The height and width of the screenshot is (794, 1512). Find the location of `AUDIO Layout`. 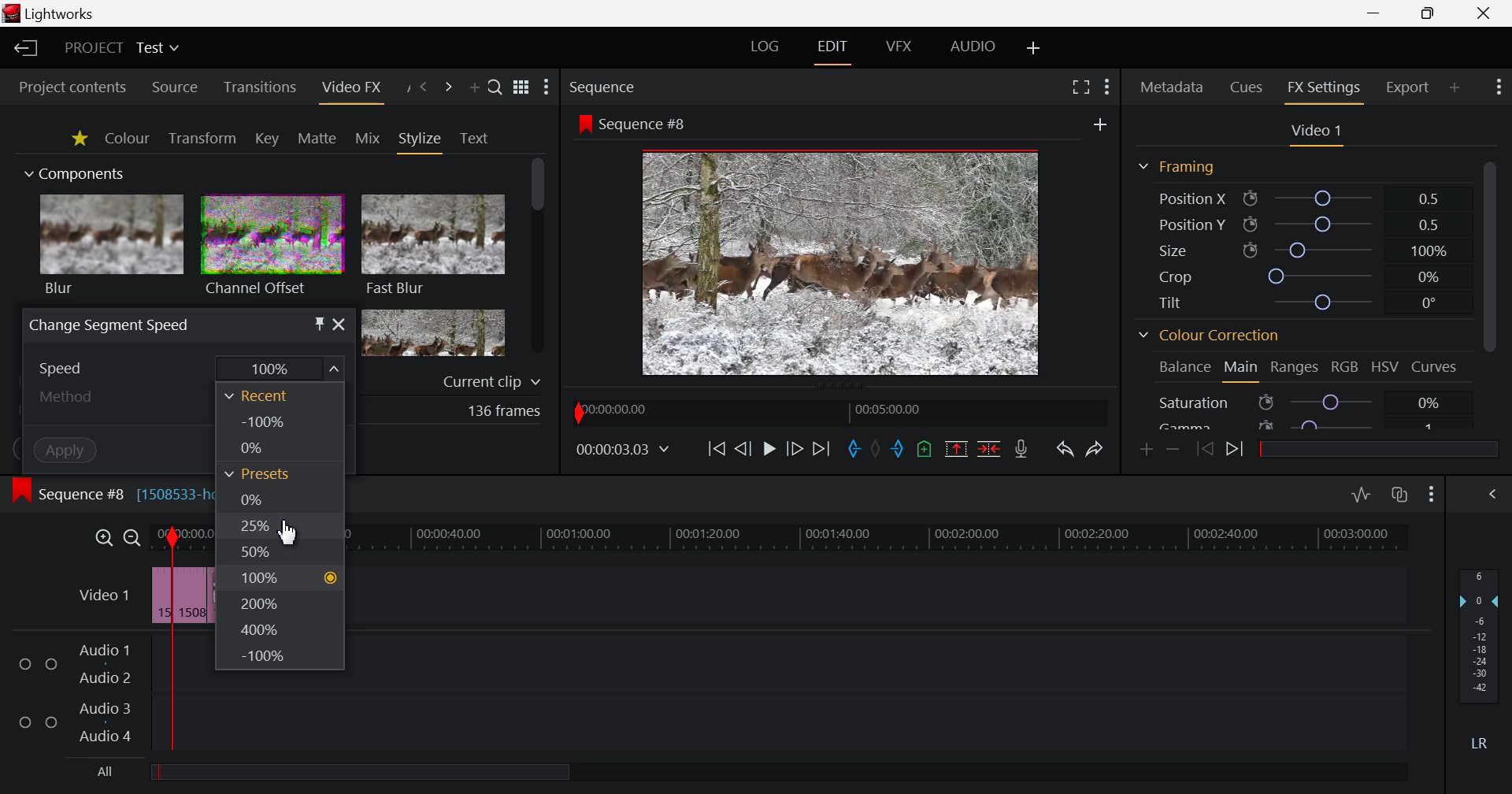

AUDIO Layout is located at coordinates (973, 46).